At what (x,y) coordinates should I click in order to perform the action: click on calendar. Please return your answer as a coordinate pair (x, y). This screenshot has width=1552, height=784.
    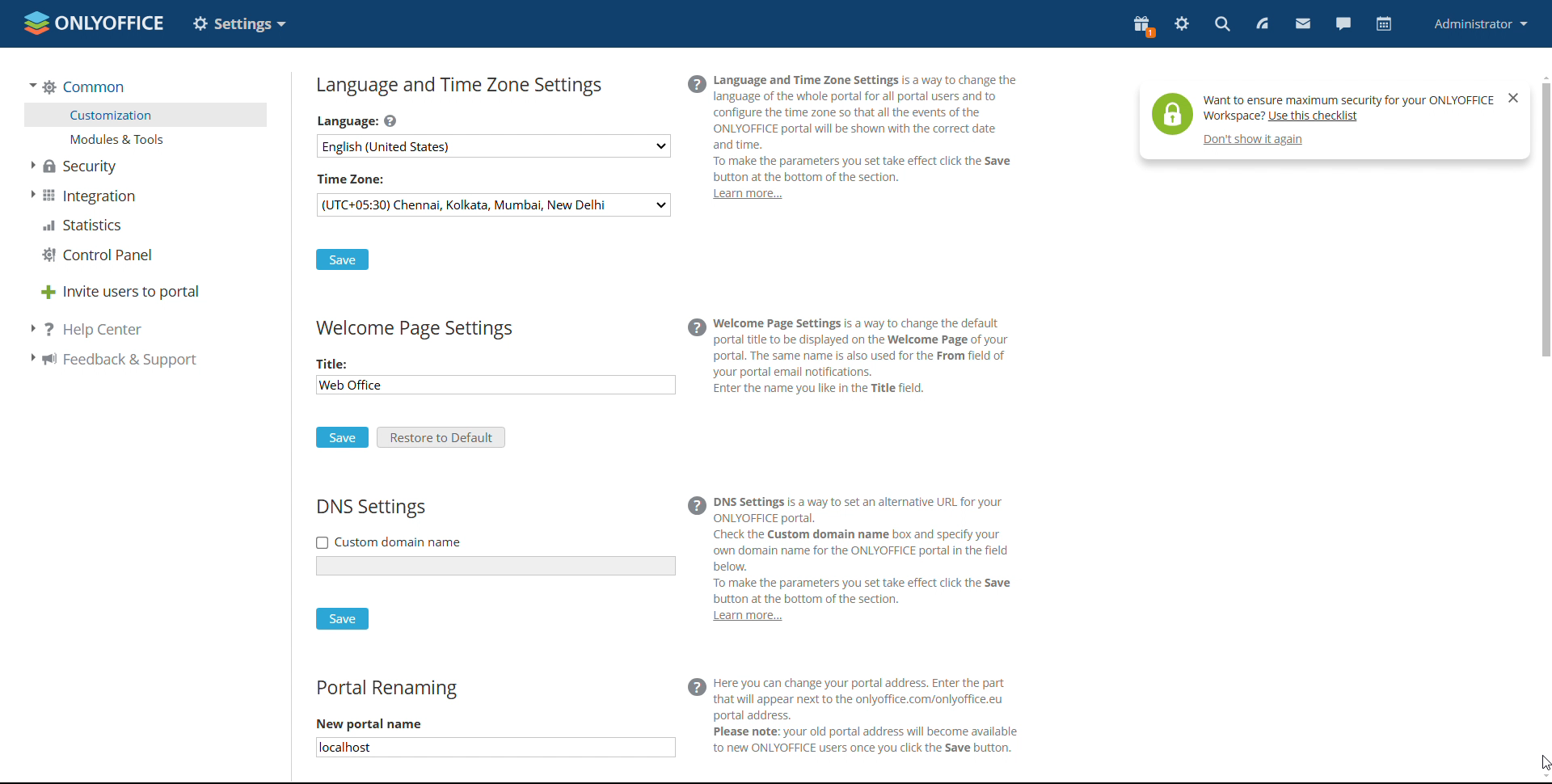
    Looking at the image, I should click on (1382, 27).